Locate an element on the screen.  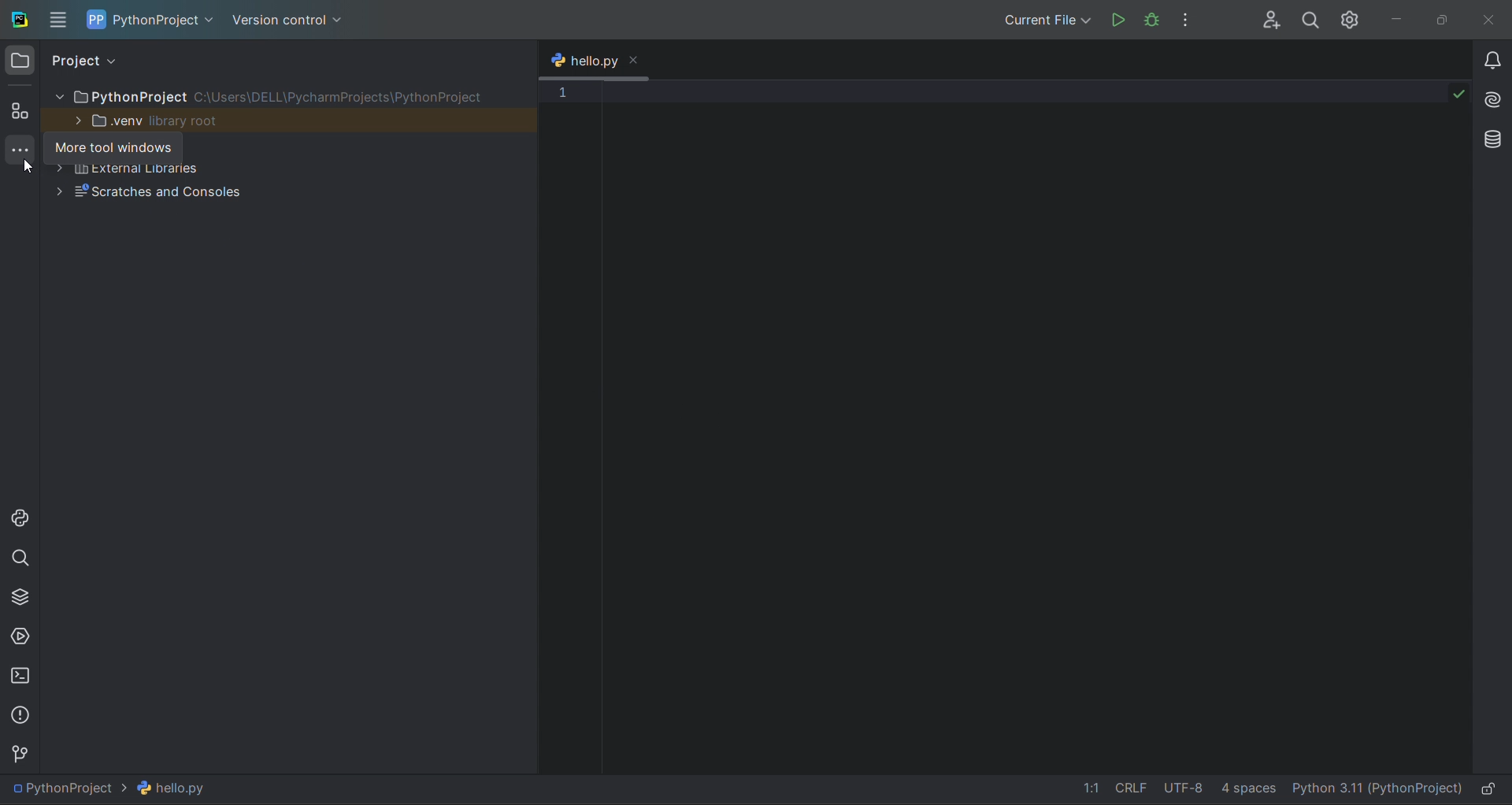
problems is located at coordinates (20, 714).